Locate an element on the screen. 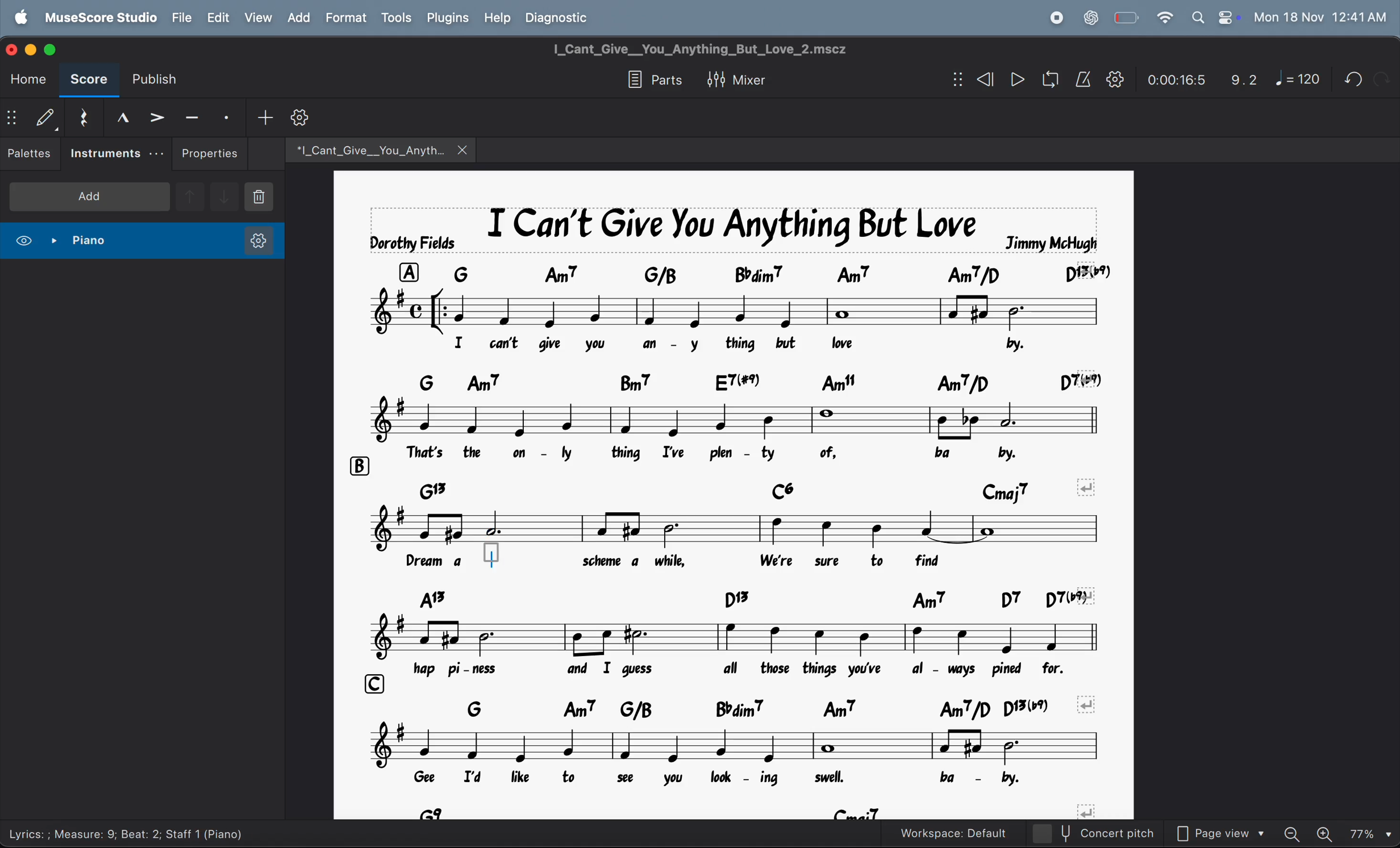 The height and width of the screenshot is (848, 1400). diagnostic is located at coordinates (562, 19).